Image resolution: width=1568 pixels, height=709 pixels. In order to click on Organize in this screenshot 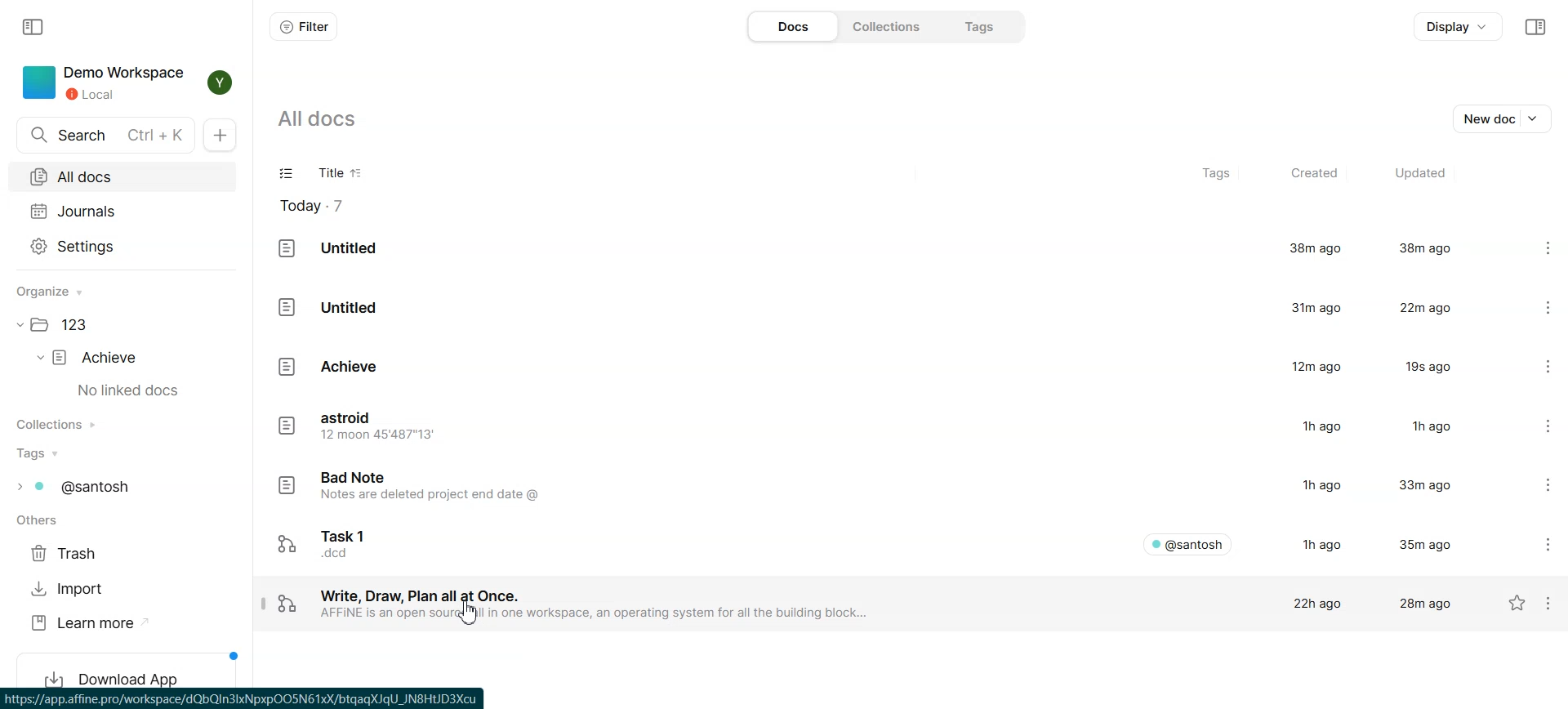, I will do `click(57, 292)`.